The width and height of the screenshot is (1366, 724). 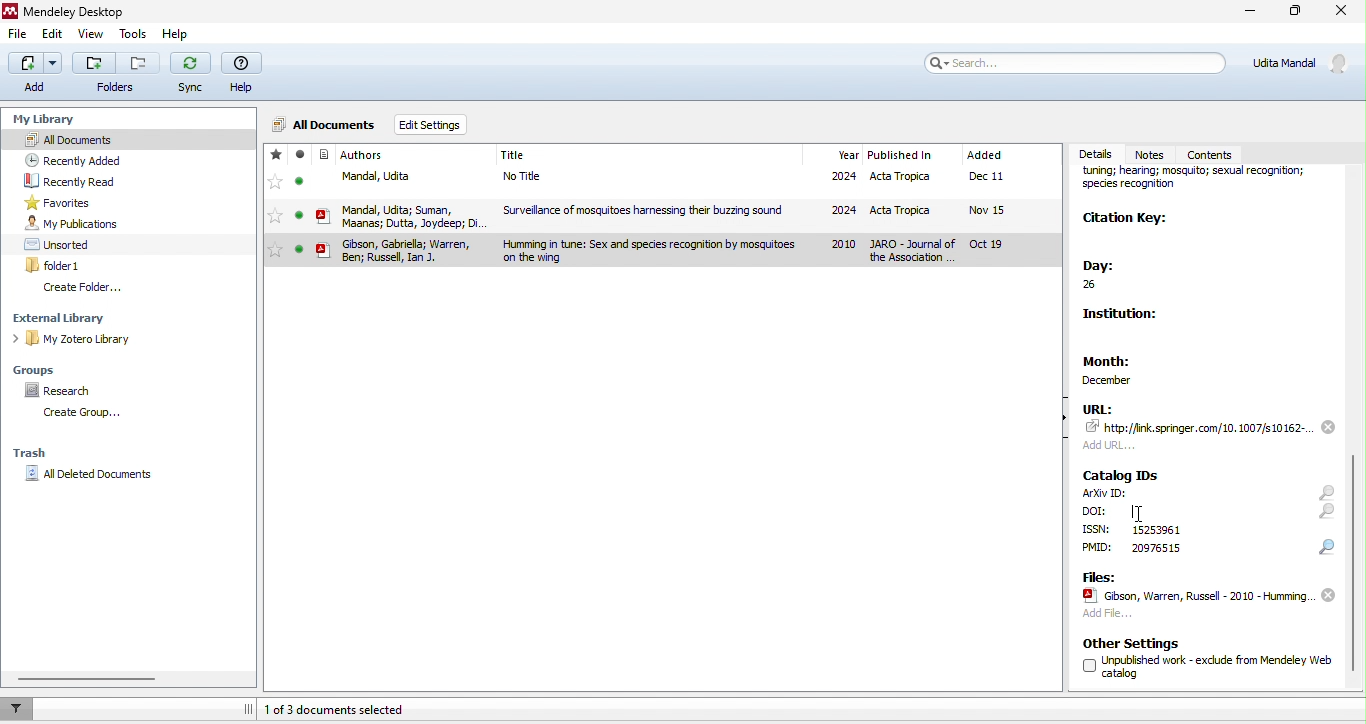 I want to click on text, so click(x=1218, y=665).